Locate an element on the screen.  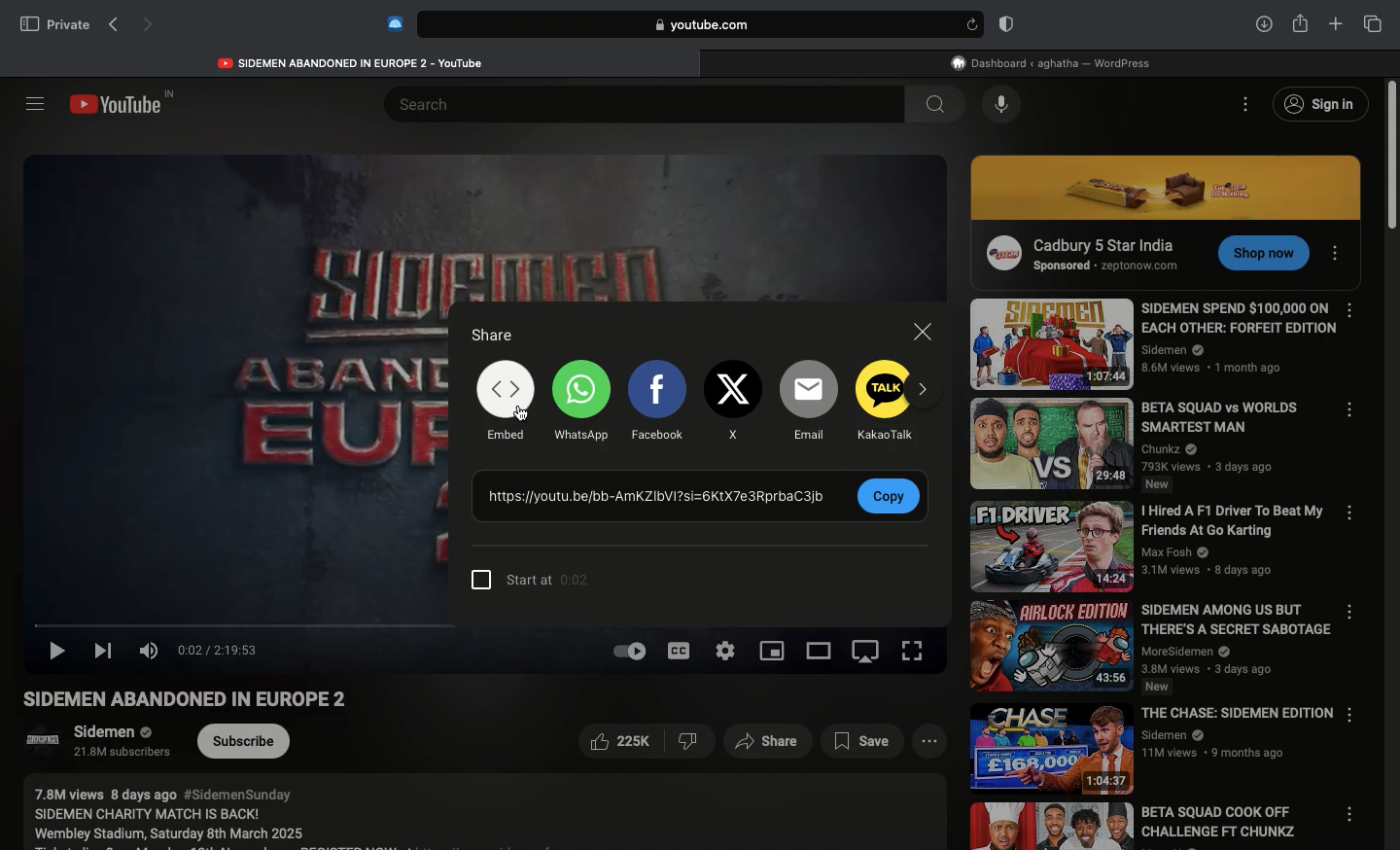
Time is located at coordinates (218, 651).